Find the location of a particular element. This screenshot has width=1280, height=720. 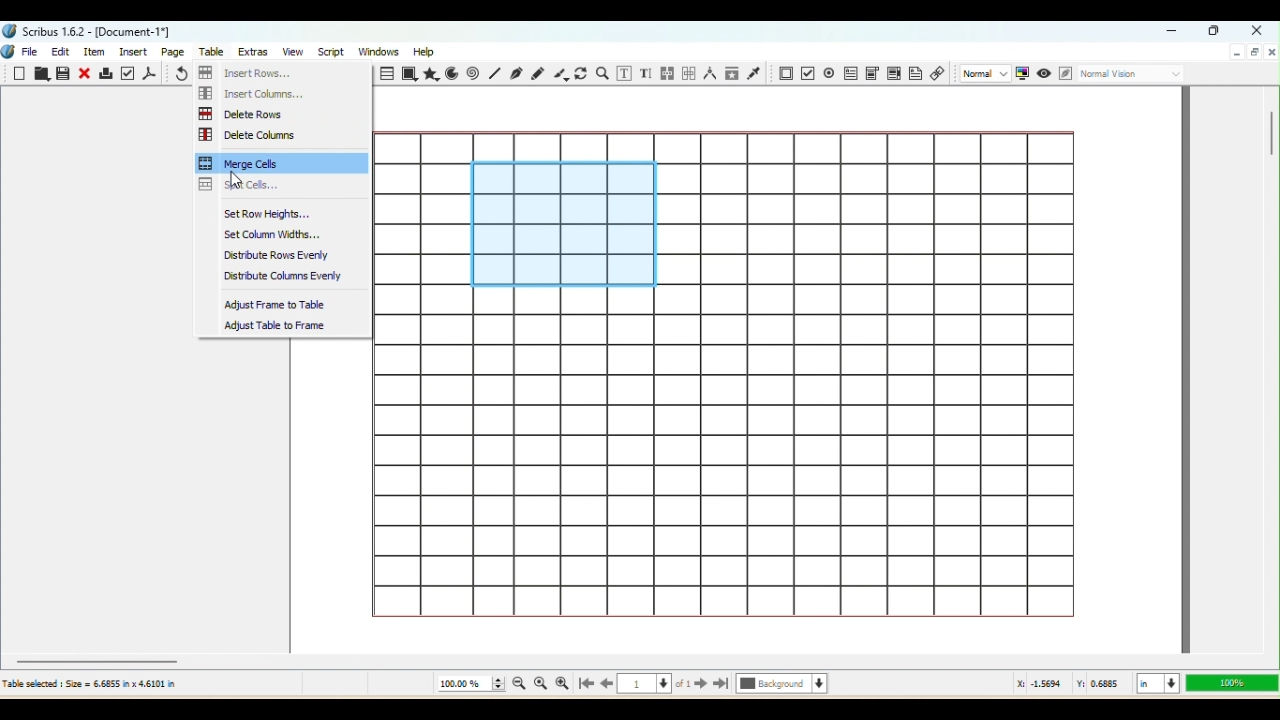

Delete Rows is located at coordinates (245, 113).